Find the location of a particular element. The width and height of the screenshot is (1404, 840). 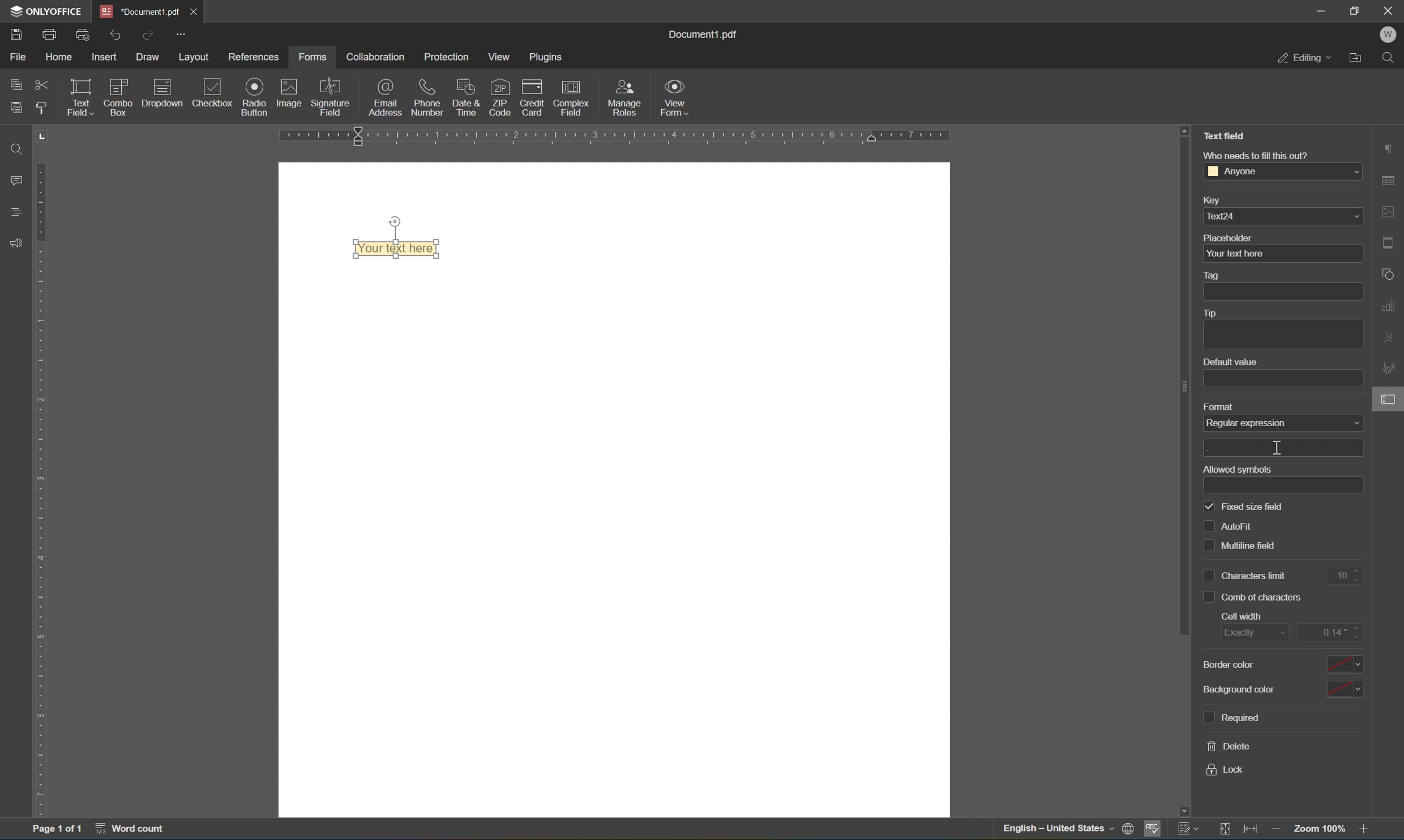

headings is located at coordinates (18, 211).